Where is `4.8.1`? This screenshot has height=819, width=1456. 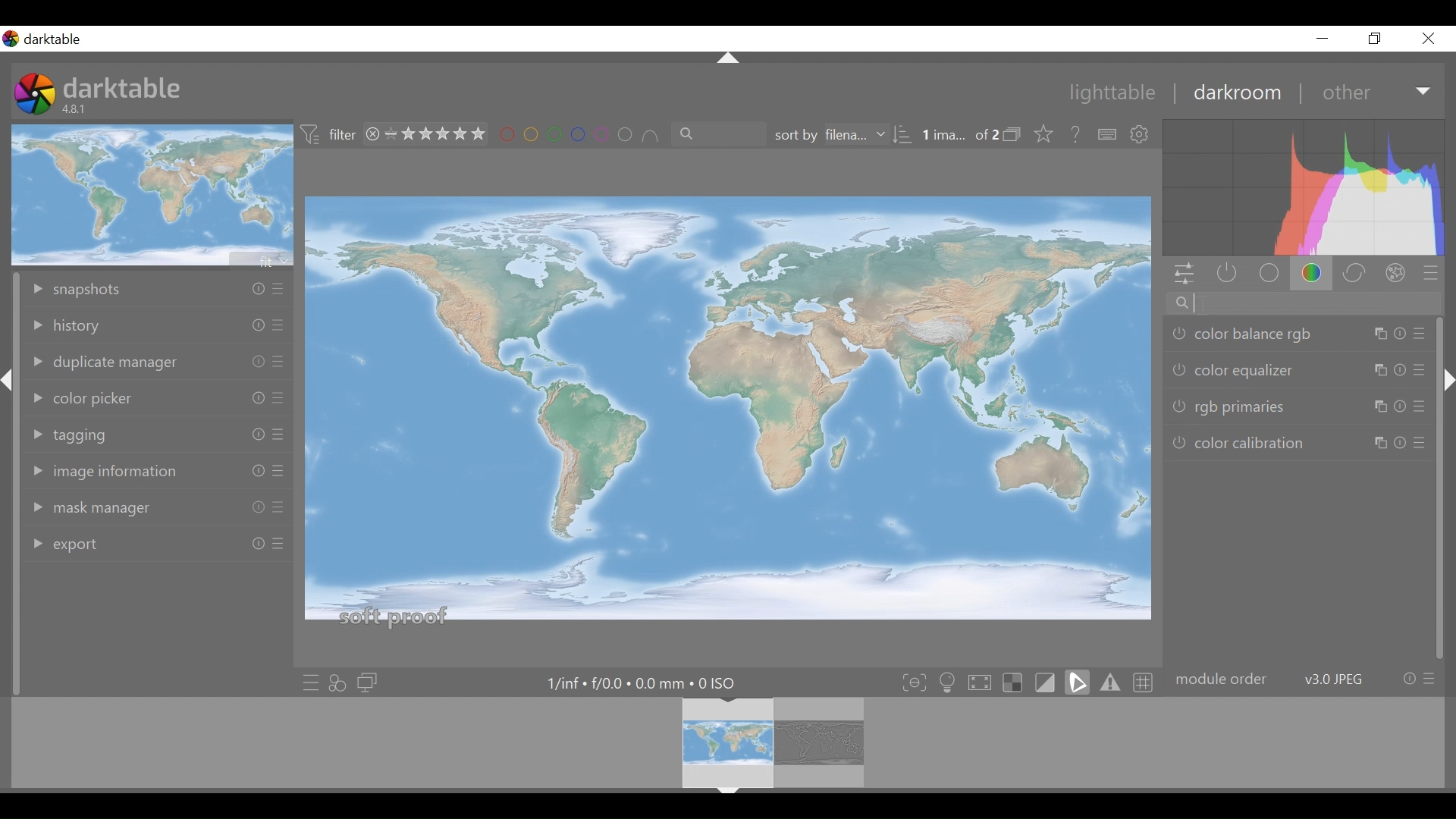
4.8.1 is located at coordinates (77, 108).